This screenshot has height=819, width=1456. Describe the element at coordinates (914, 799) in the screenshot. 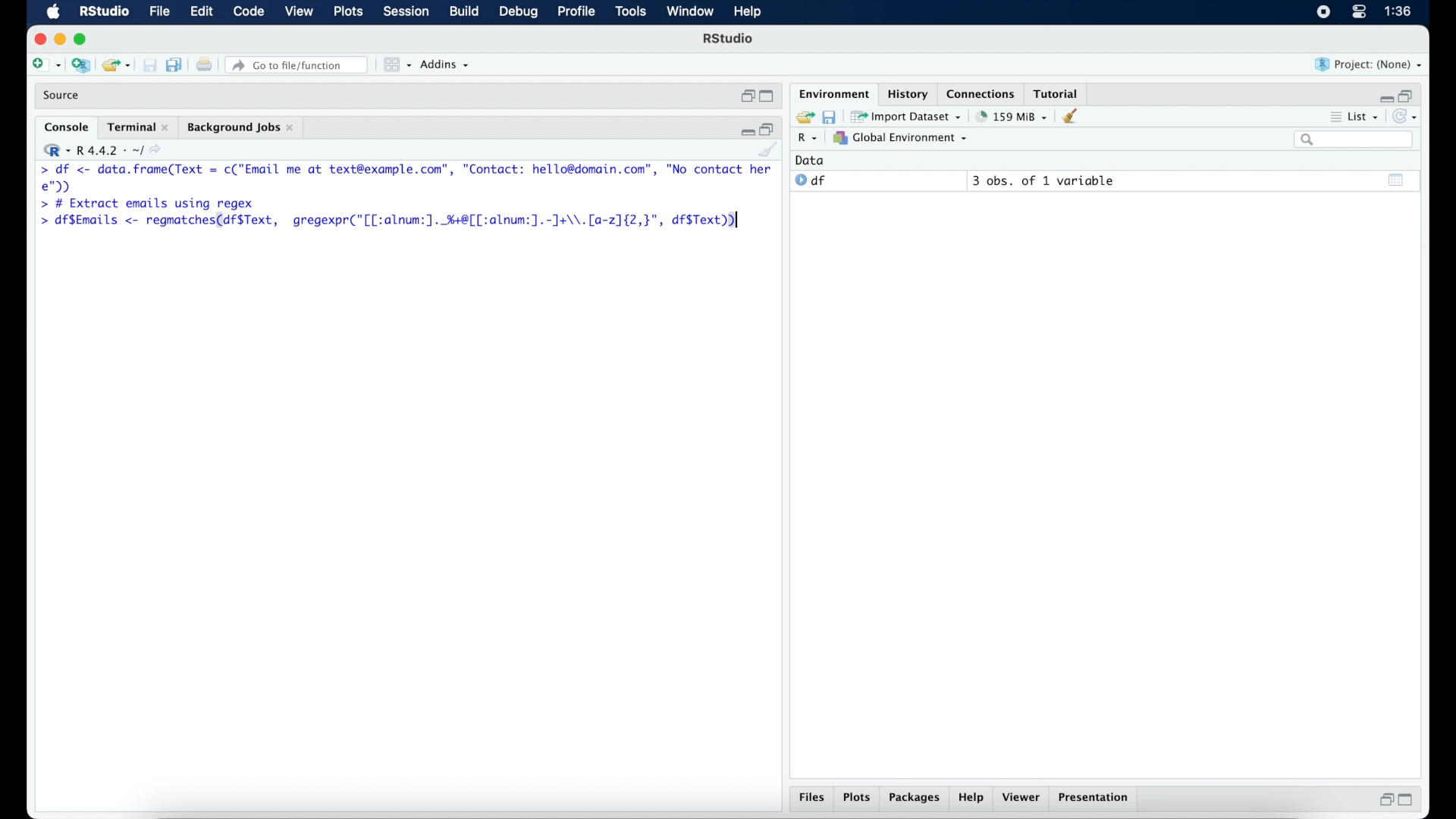

I see `packages` at that location.